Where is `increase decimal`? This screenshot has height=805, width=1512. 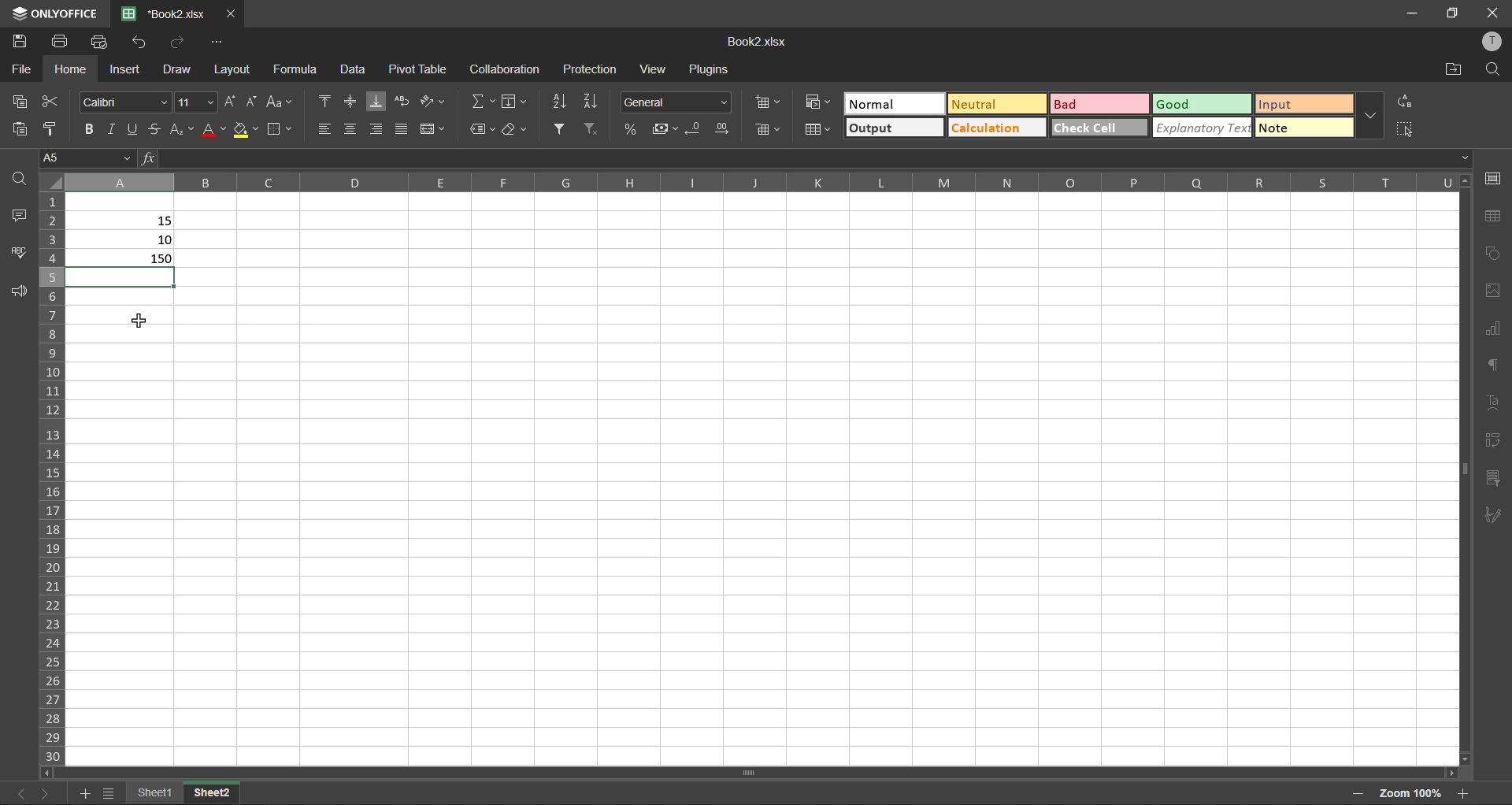
increase decimal is located at coordinates (724, 129).